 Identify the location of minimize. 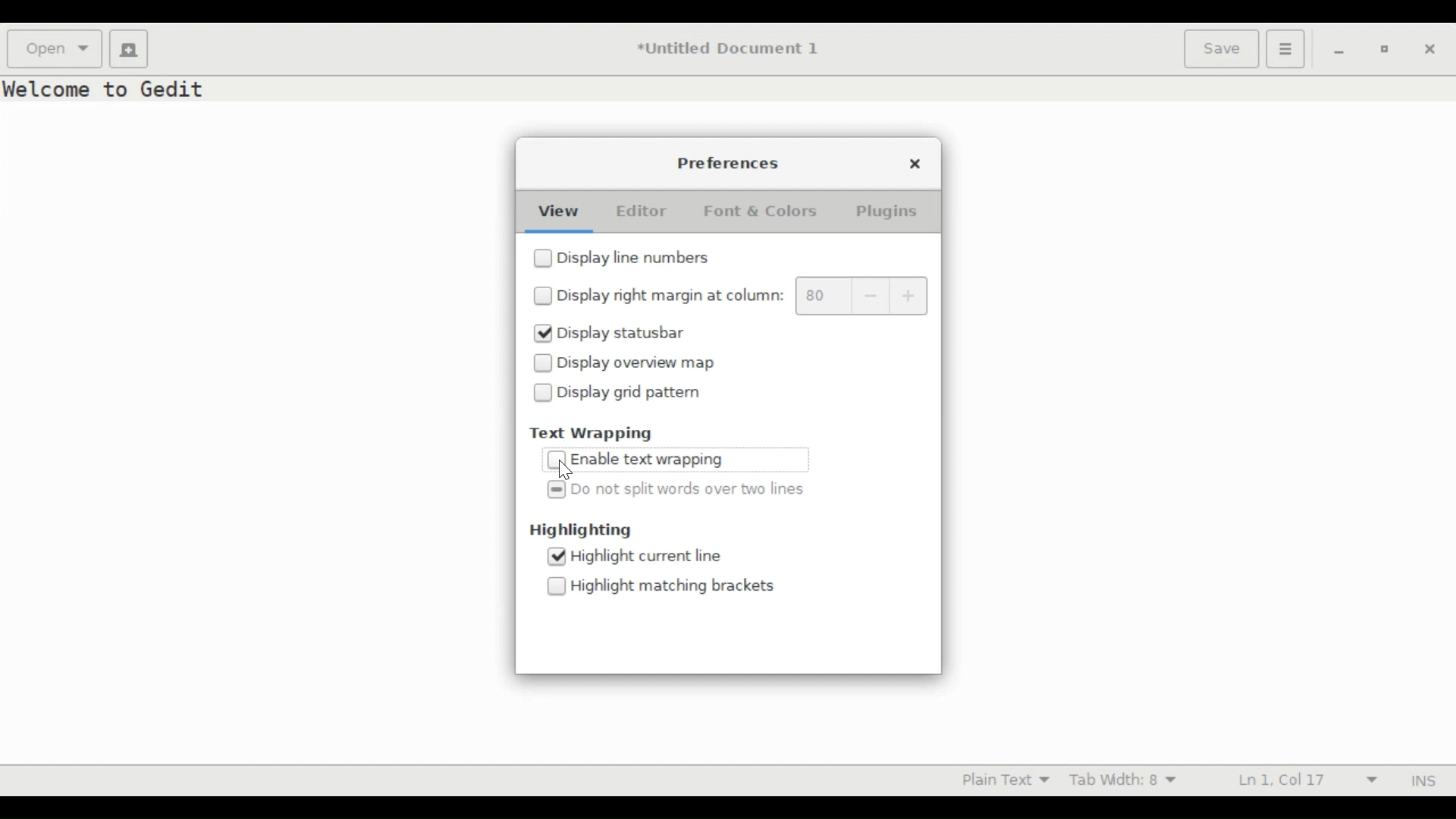
(1339, 52).